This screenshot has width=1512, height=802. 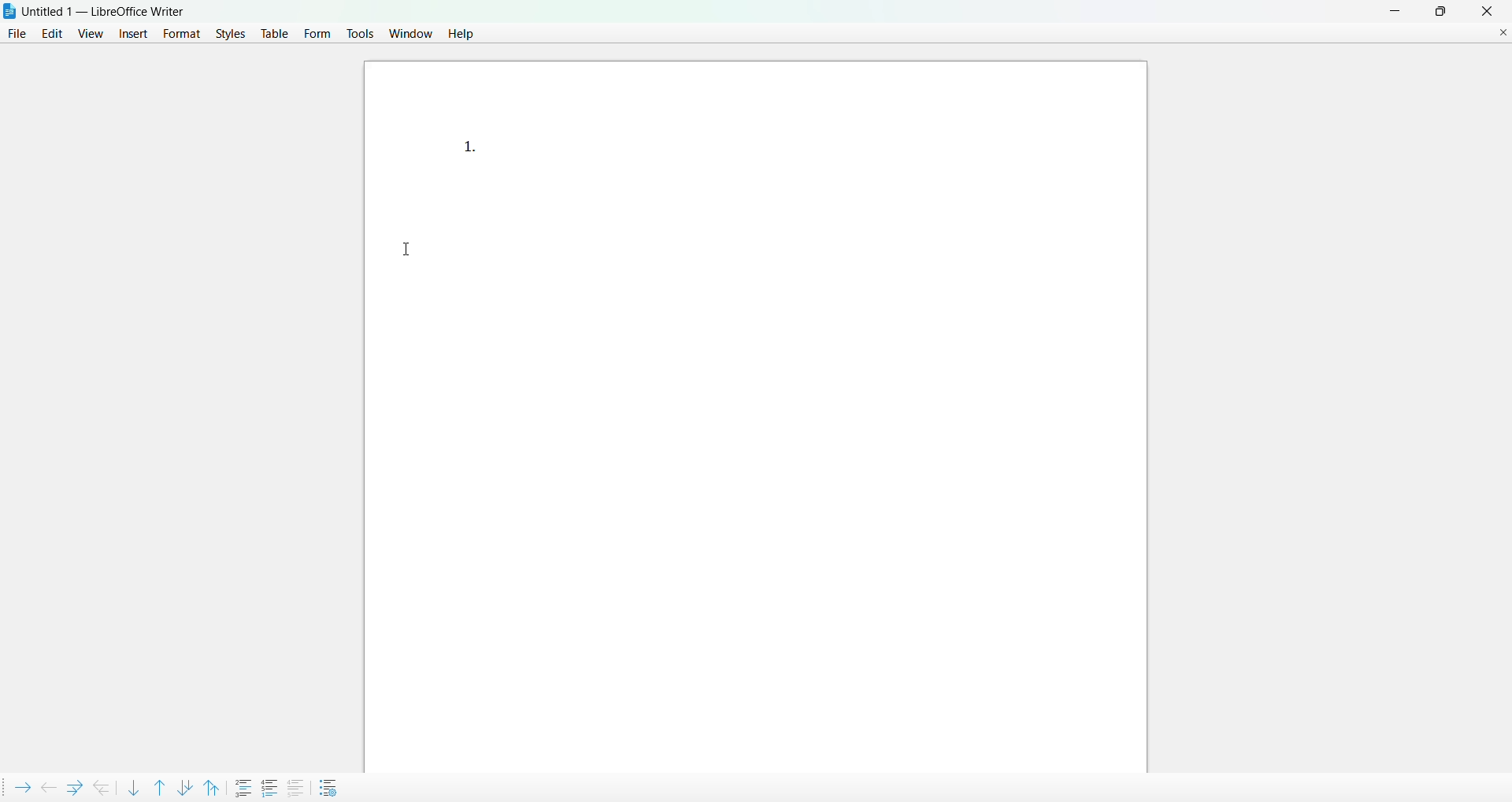 What do you see at coordinates (271, 785) in the screenshot?
I see `restart numbering` at bounding box center [271, 785].